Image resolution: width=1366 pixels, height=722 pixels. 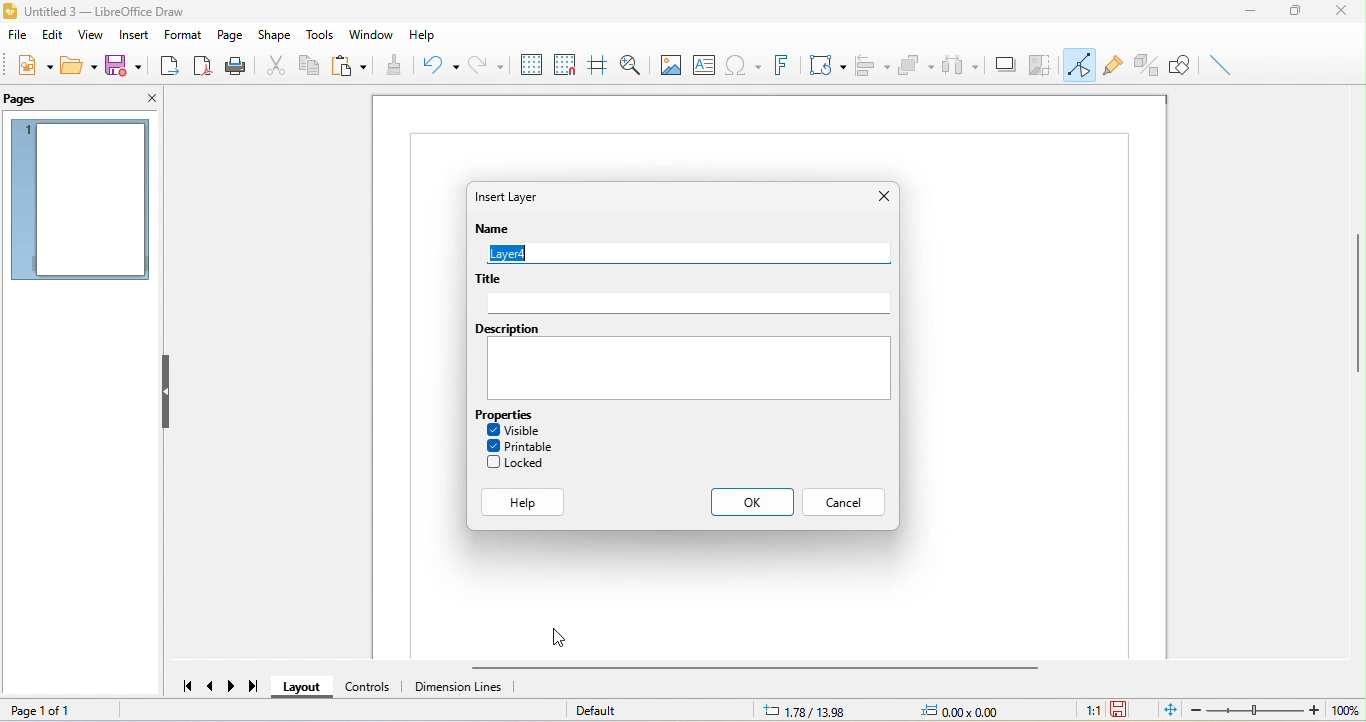 I want to click on layout, so click(x=302, y=688).